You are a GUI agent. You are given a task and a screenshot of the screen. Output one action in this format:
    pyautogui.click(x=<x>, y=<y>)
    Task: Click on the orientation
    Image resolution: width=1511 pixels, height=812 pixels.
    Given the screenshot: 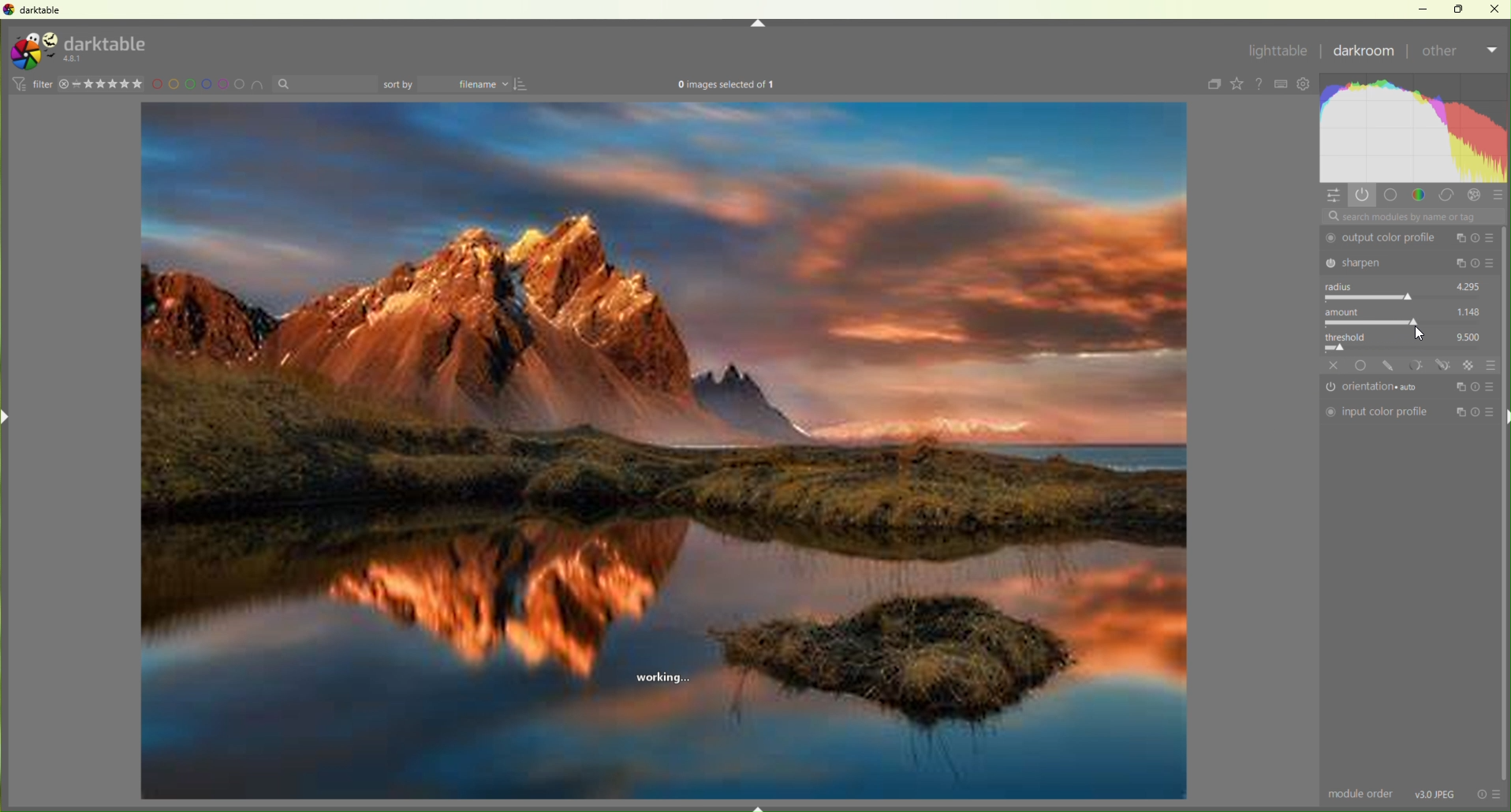 What is the action you would take?
    pyautogui.click(x=1377, y=388)
    